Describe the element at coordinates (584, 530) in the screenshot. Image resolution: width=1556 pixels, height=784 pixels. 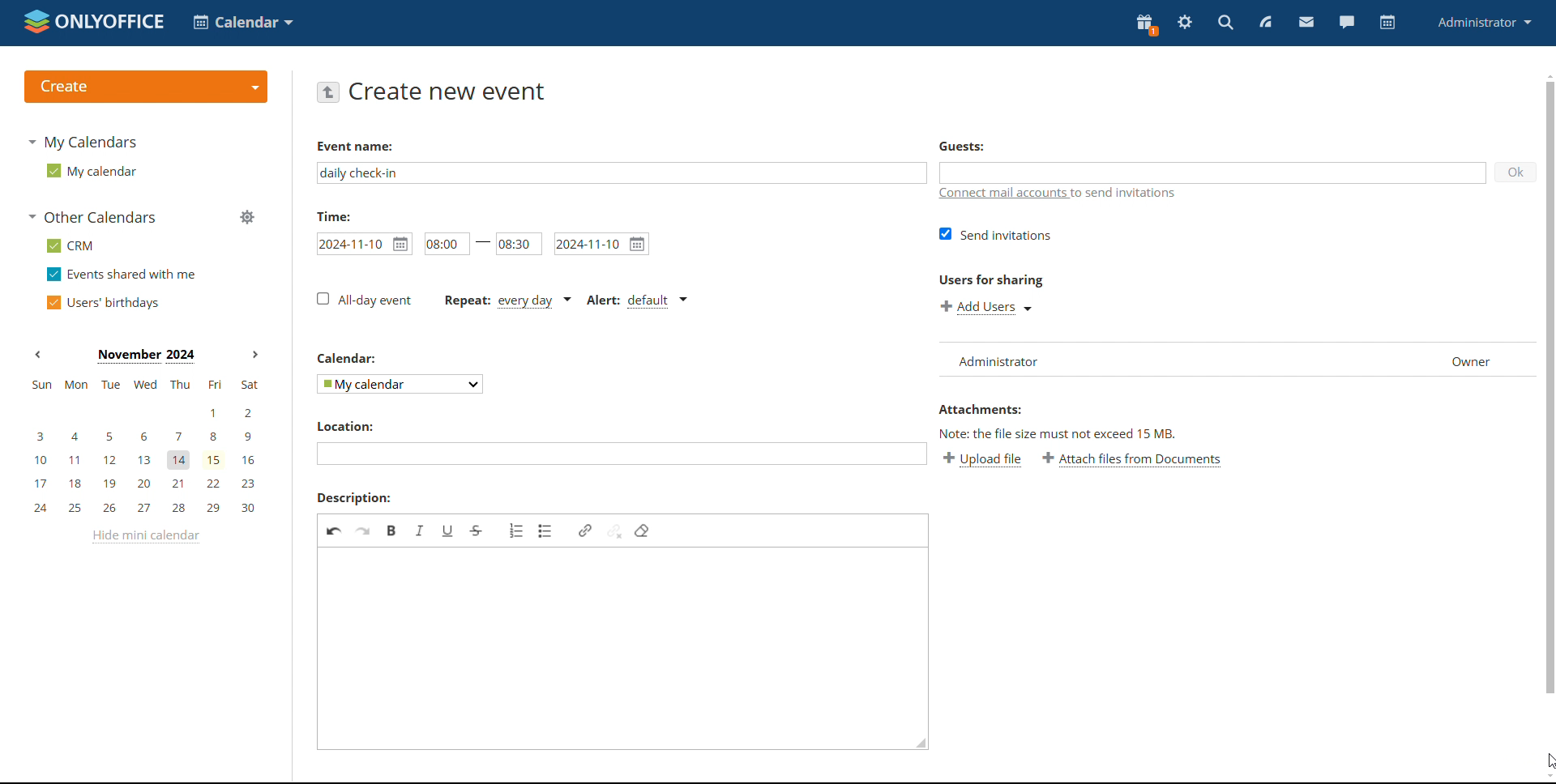
I see `link` at that location.